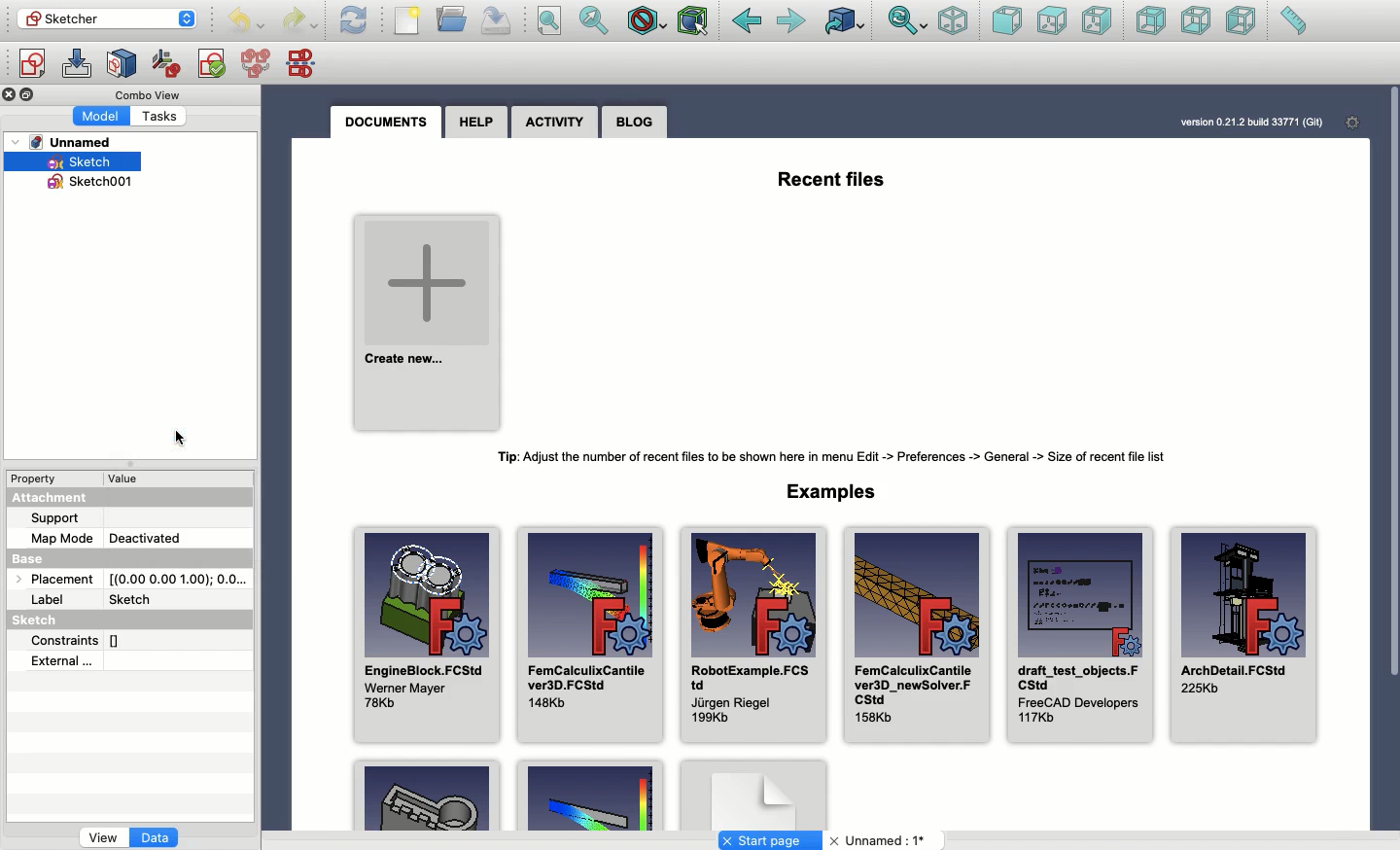 The height and width of the screenshot is (850, 1400). I want to click on Label, so click(51, 600).